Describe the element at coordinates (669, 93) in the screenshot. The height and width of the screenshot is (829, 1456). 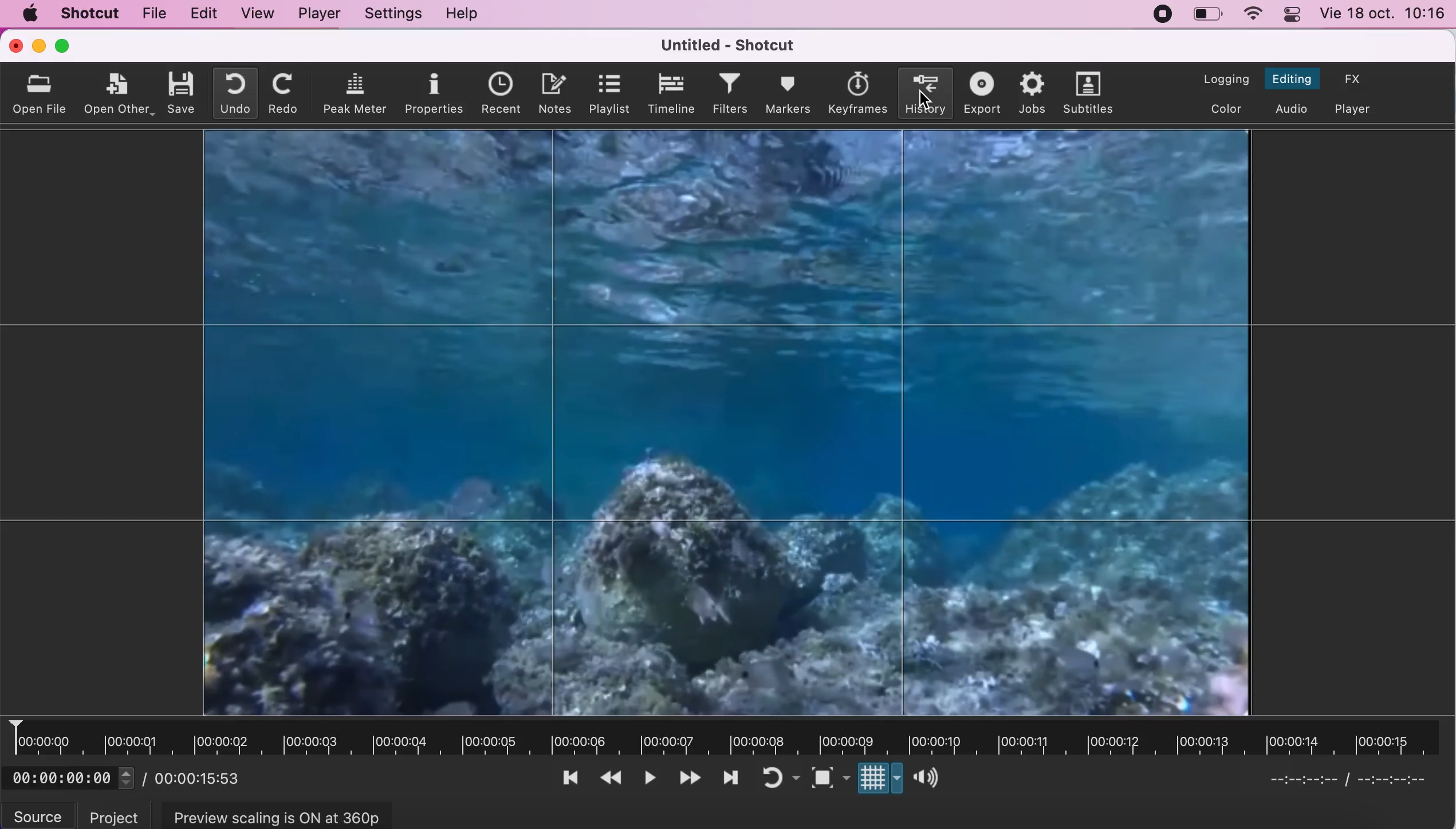
I see `timeline` at that location.